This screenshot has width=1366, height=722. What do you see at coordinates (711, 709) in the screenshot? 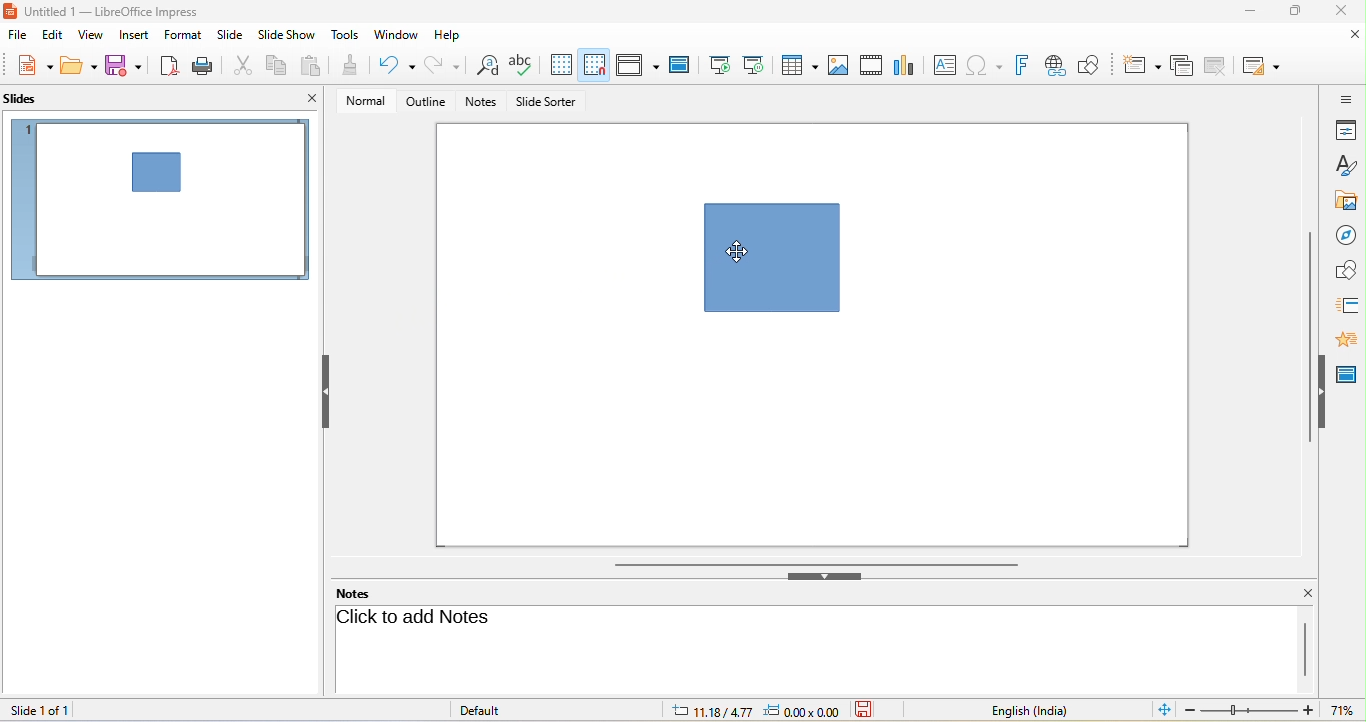
I see `11.18/4.77` at bounding box center [711, 709].